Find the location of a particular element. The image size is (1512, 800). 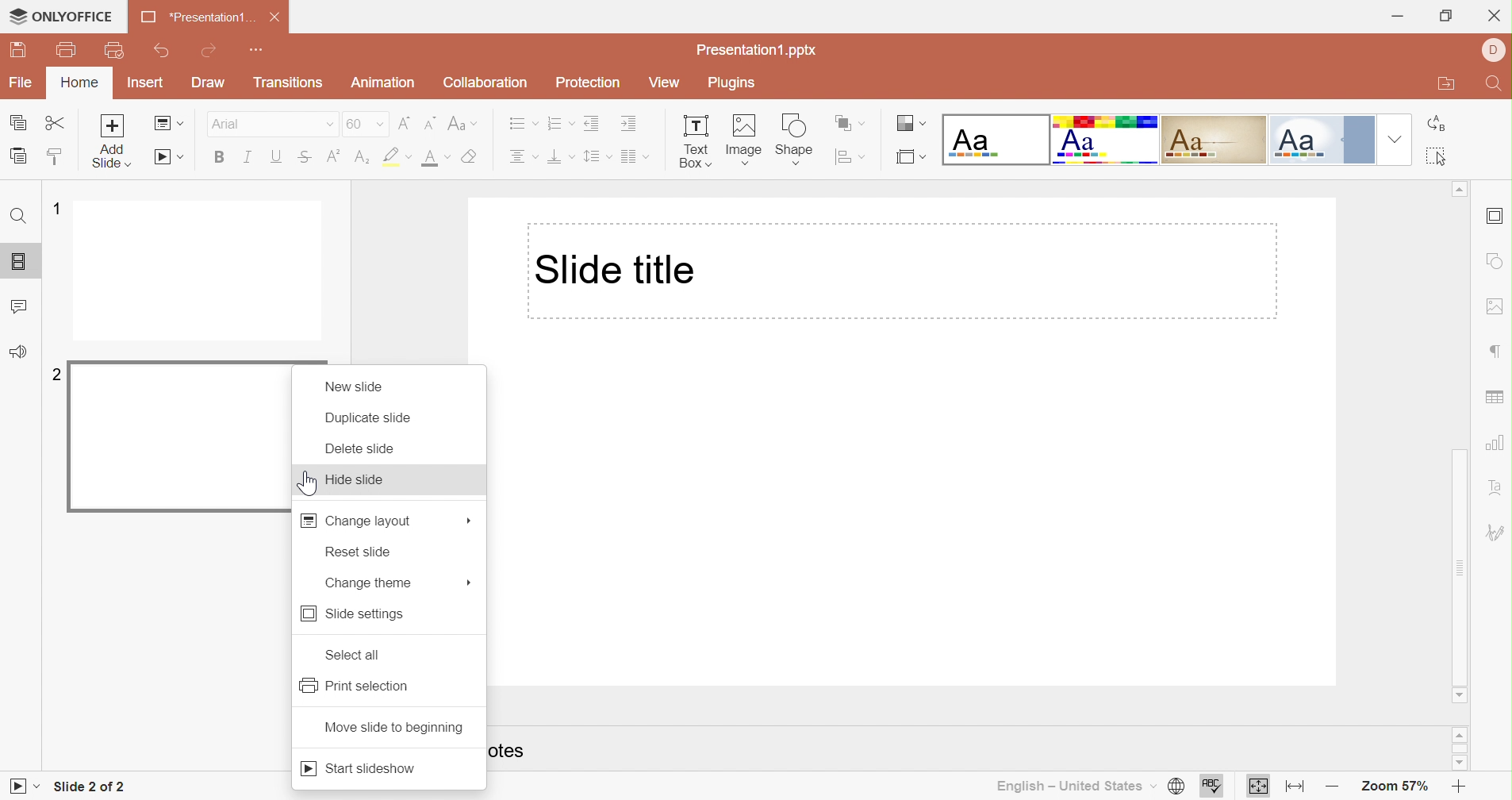

Underline is located at coordinates (278, 157).